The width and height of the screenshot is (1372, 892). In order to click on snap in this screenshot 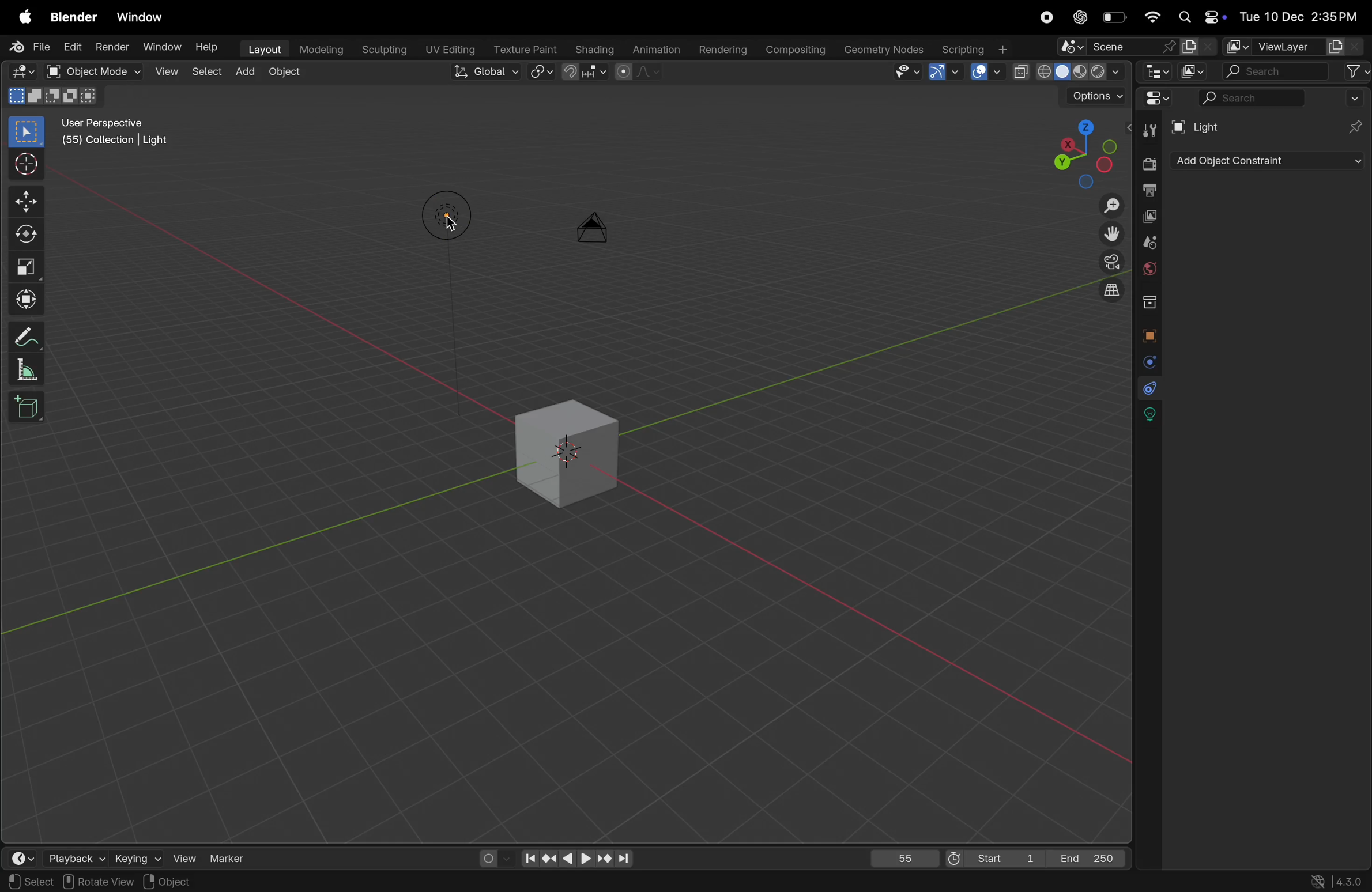, I will do `click(541, 73)`.